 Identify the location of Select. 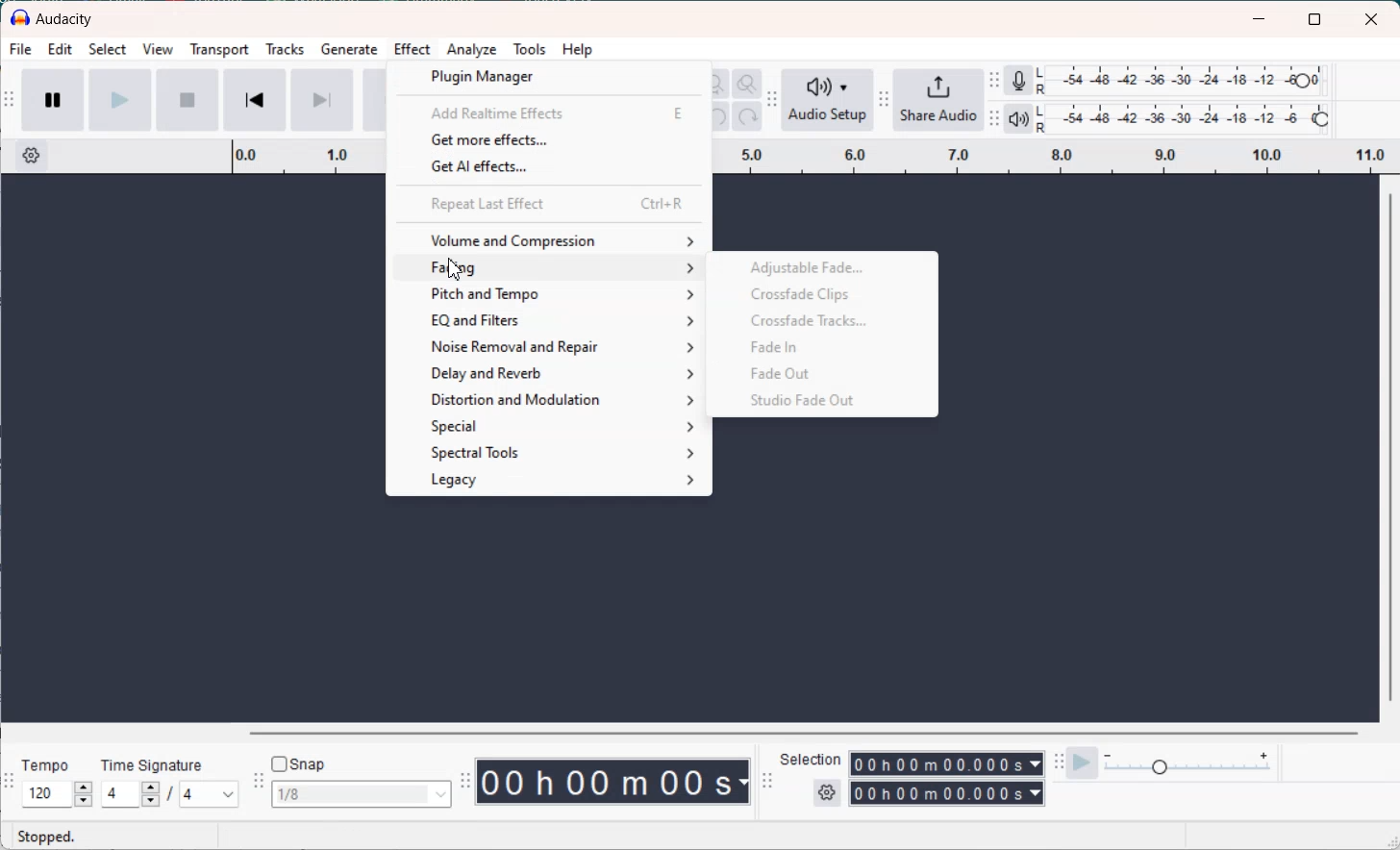
(108, 51).